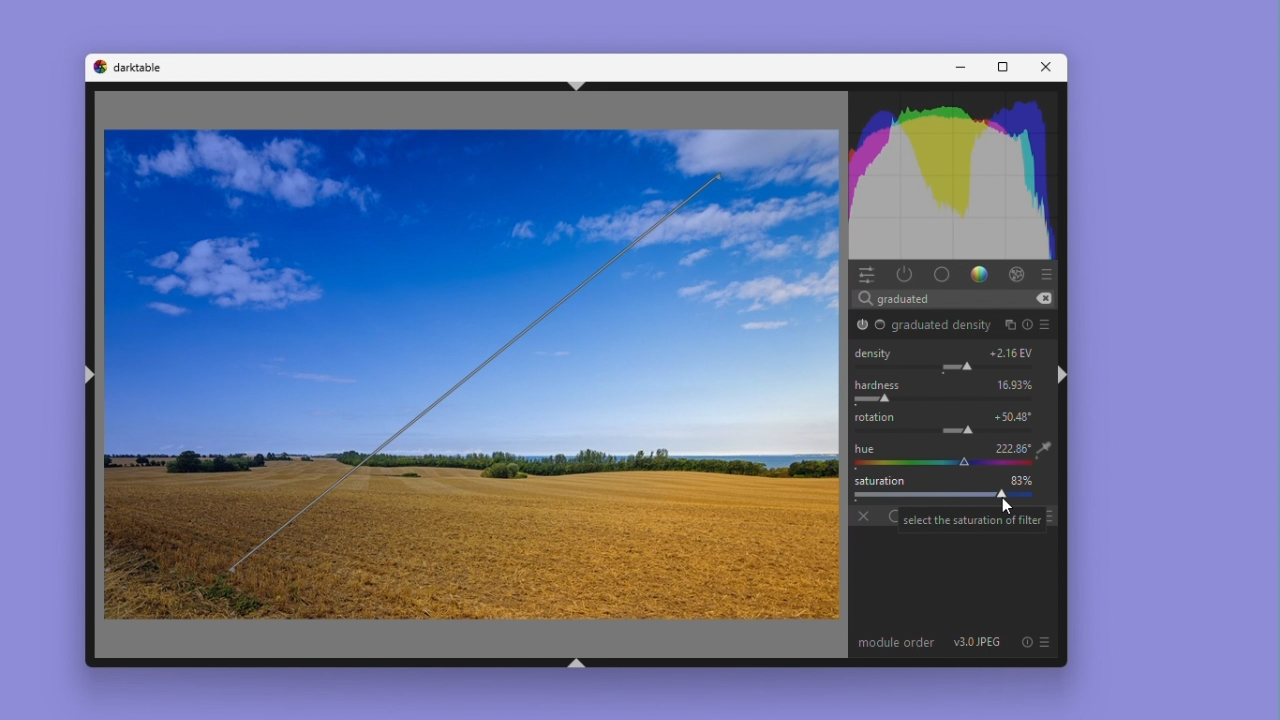 The height and width of the screenshot is (720, 1280). What do you see at coordinates (1048, 324) in the screenshot?
I see `preset` at bounding box center [1048, 324].